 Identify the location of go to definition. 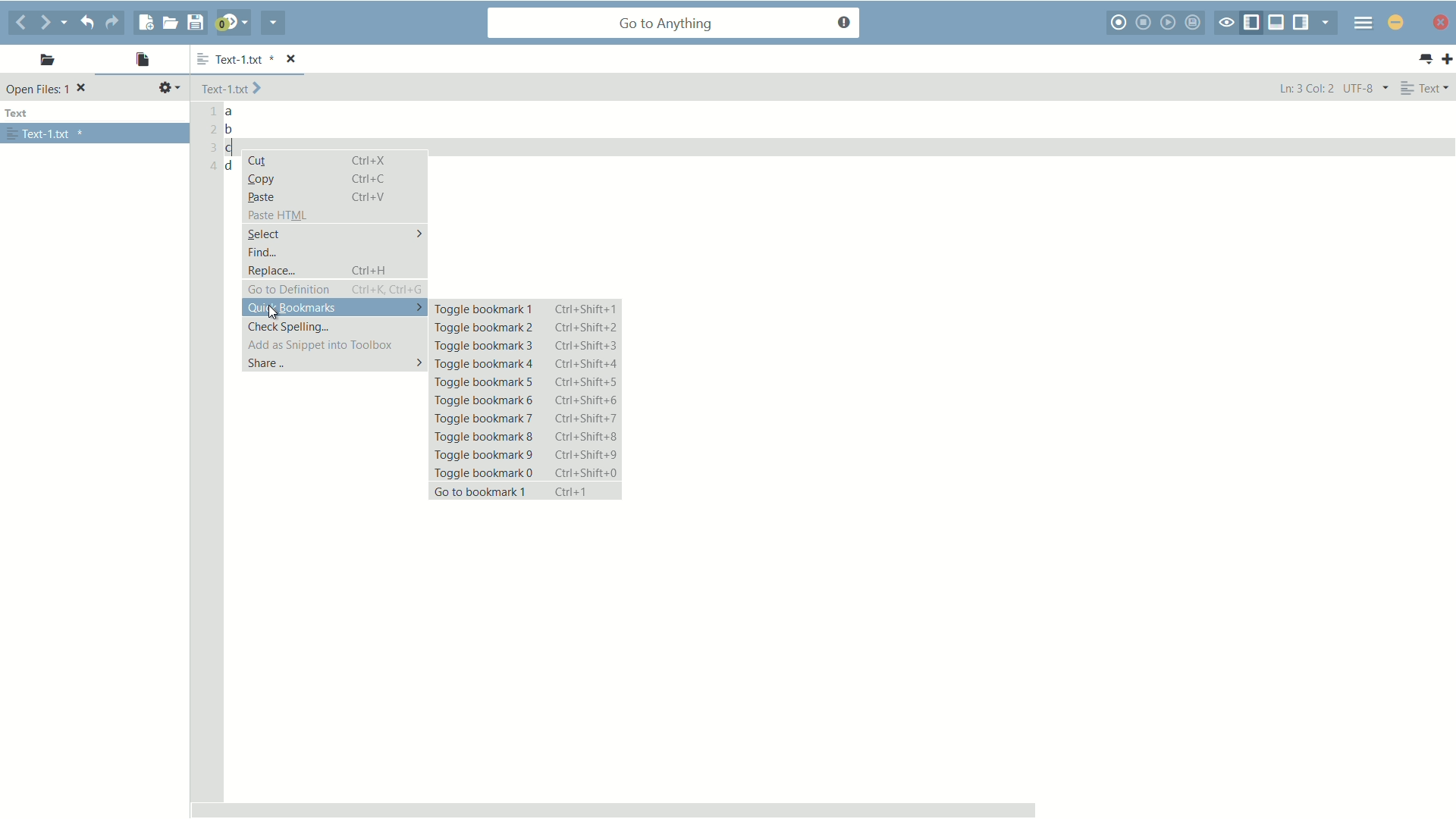
(335, 290).